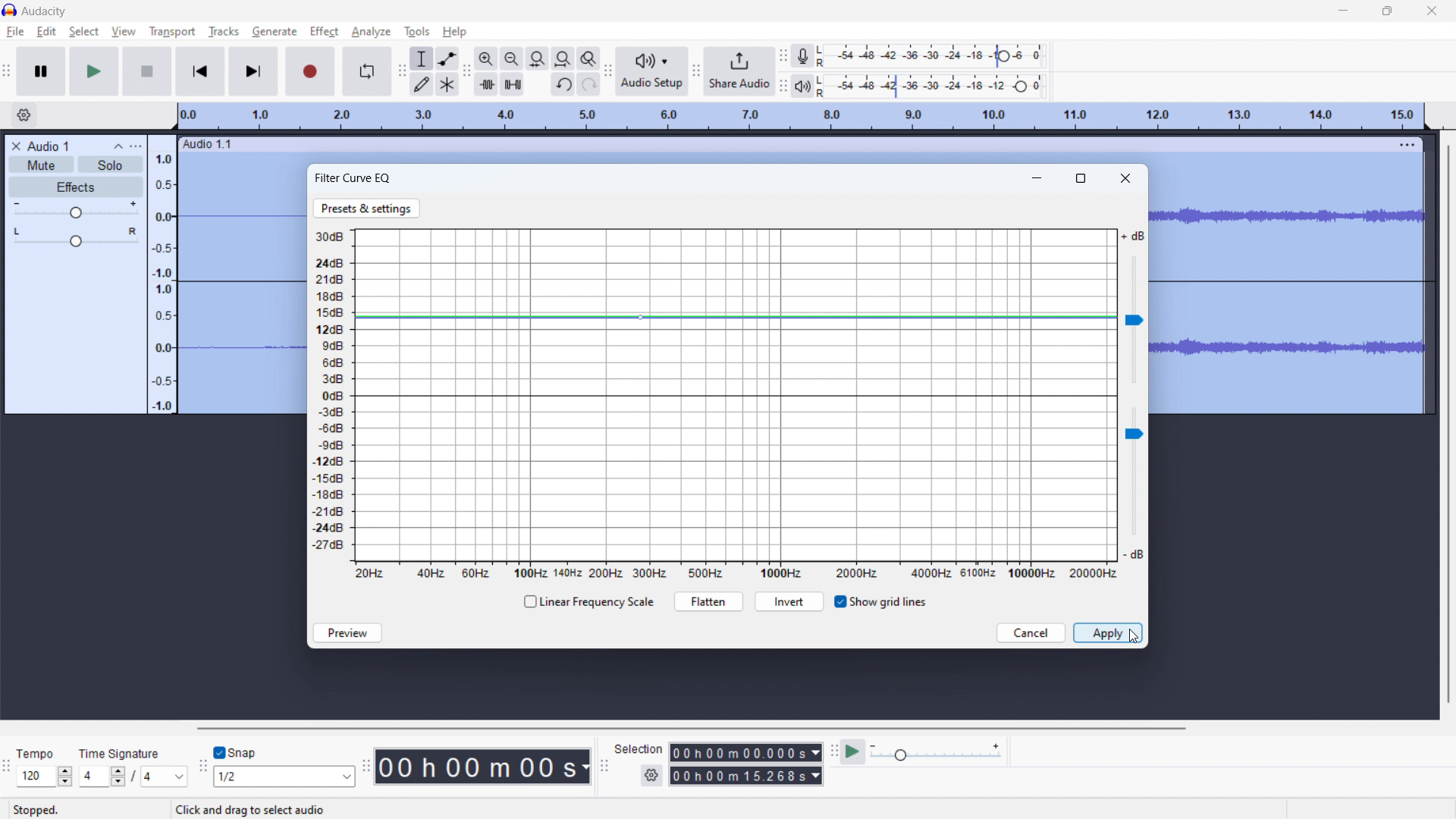 This screenshot has width=1456, height=819. What do you see at coordinates (745, 751) in the screenshot?
I see `00h00m00.000s (start time)` at bounding box center [745, 751].